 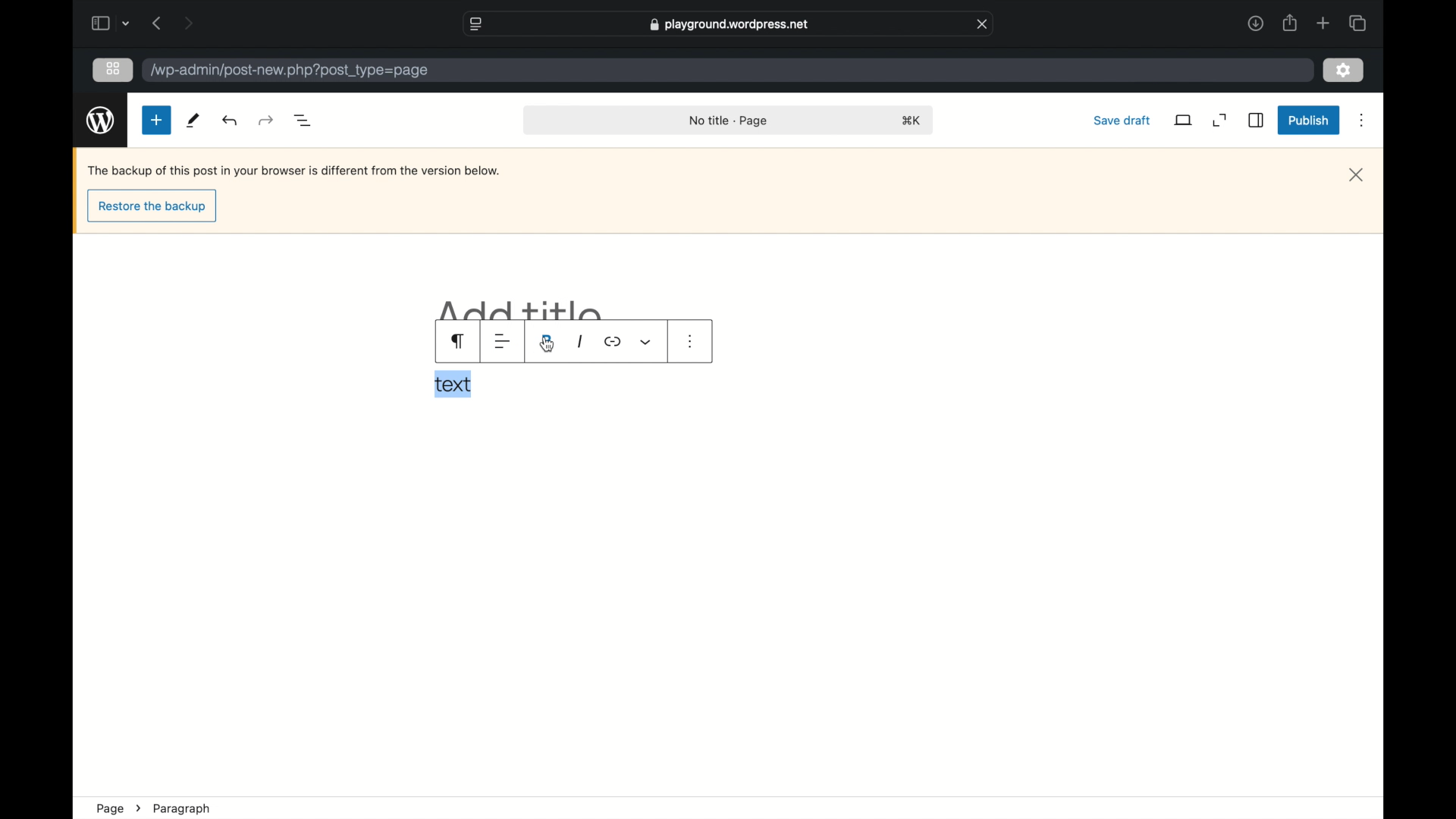 What do you see at coordinates (454, 383) in the screenshot?
I see `text` at bounding box center [454, 383].